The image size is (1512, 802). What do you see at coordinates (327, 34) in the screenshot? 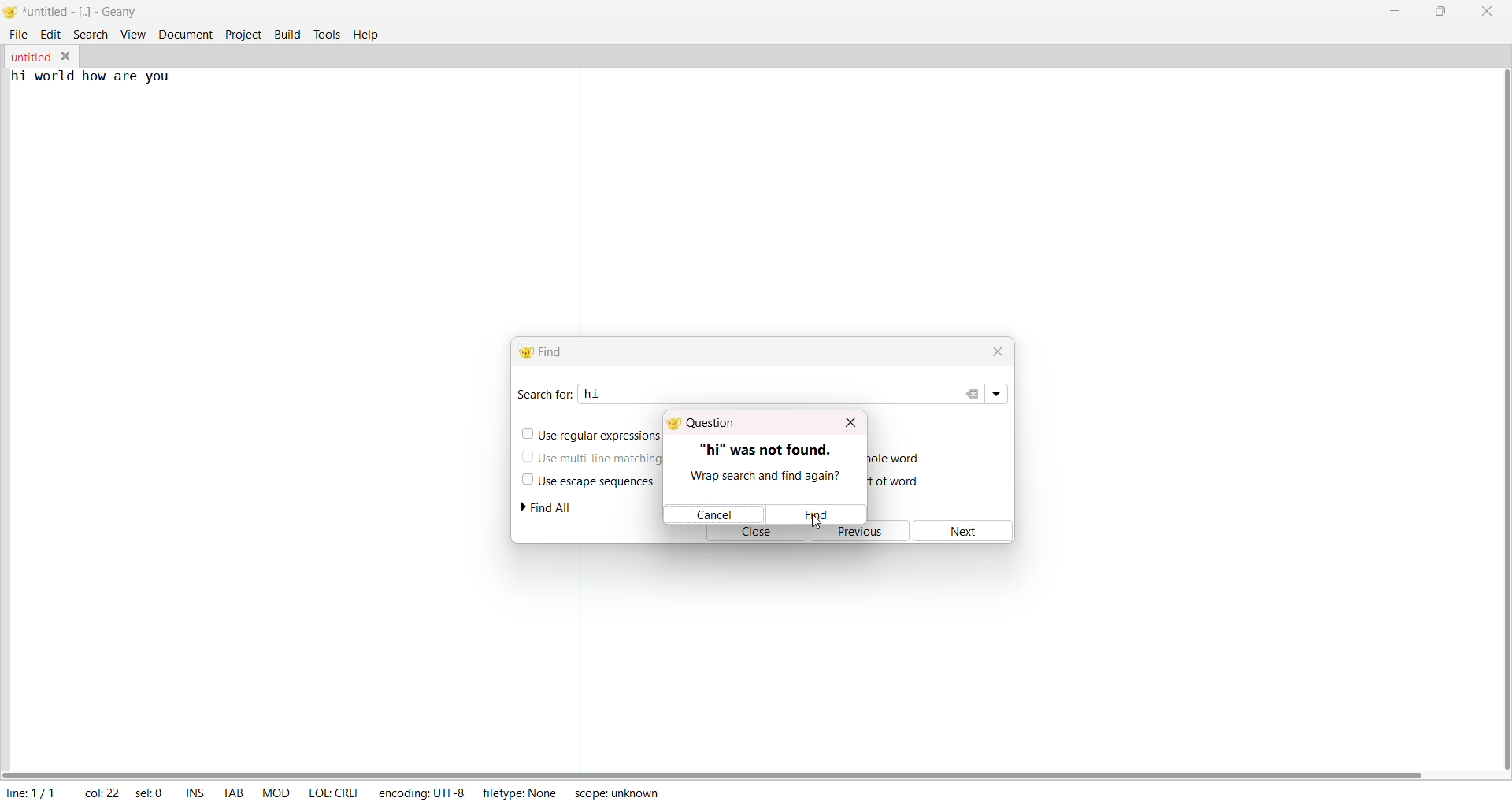
I see `tools` at bounding box center [327, 34].